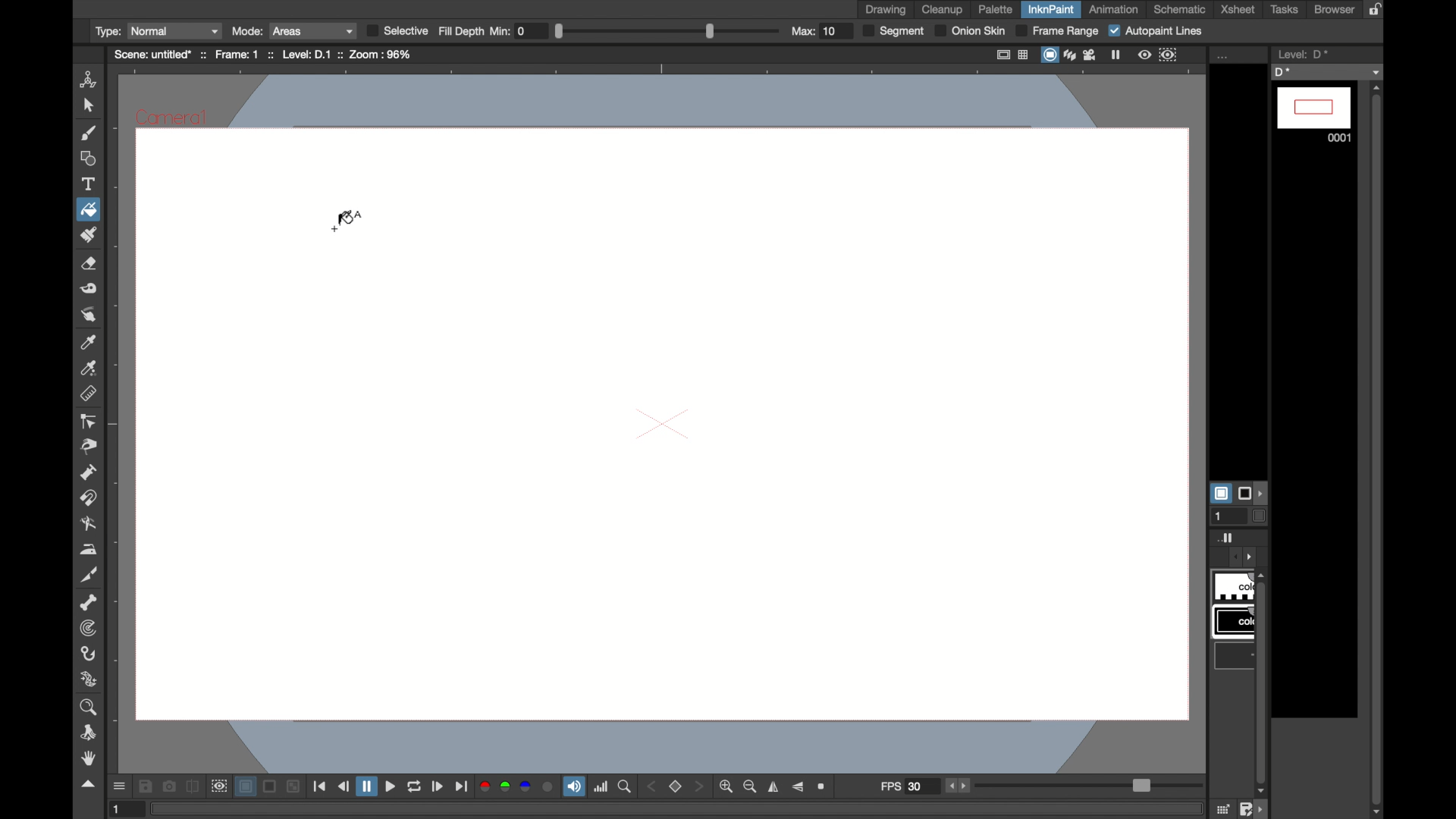  Describe the element at coordinates (86, 79) in the screenshot. I see `animate tool ` at that location.